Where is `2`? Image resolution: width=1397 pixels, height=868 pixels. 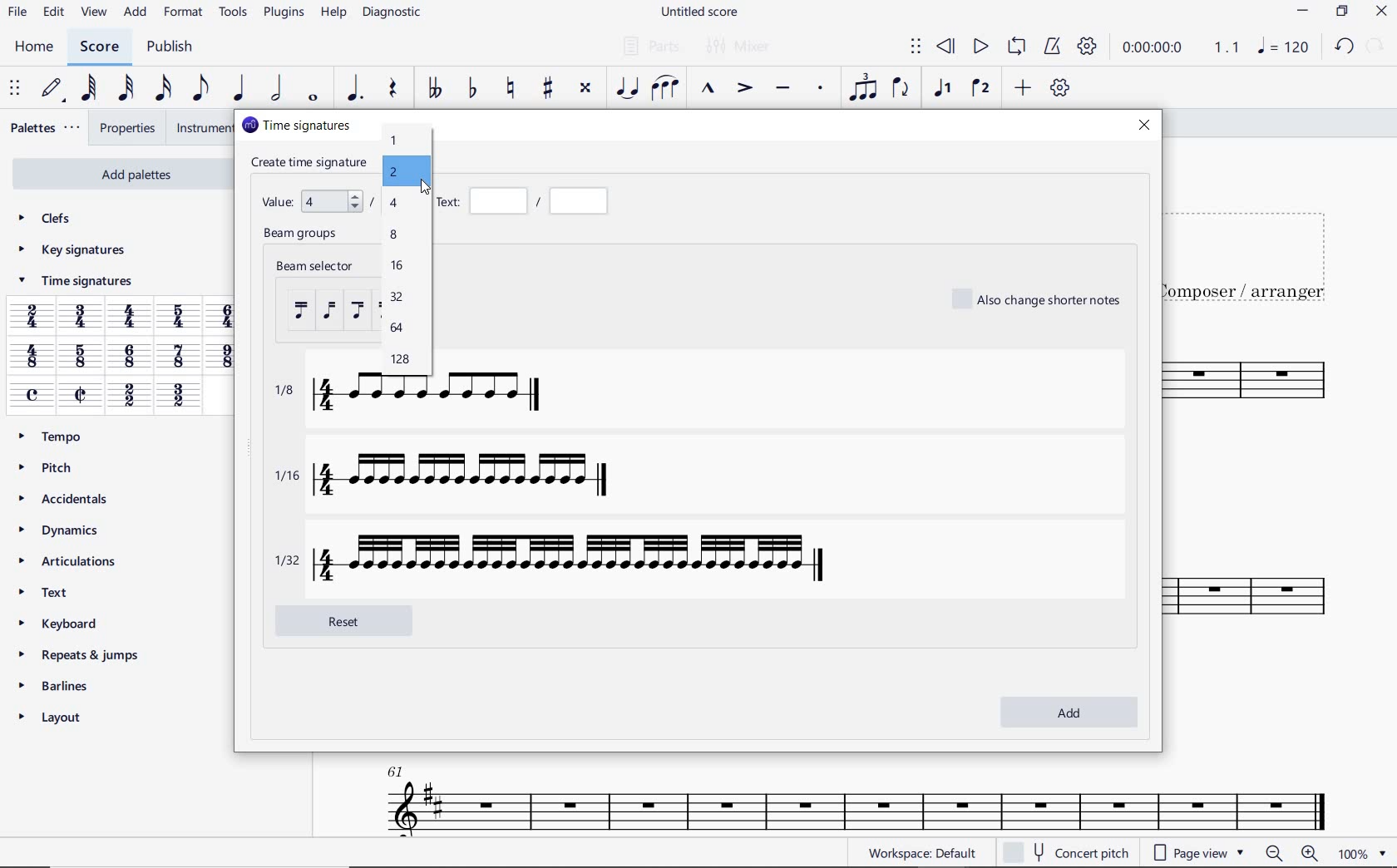
2 is located at coordinates (393, 173).